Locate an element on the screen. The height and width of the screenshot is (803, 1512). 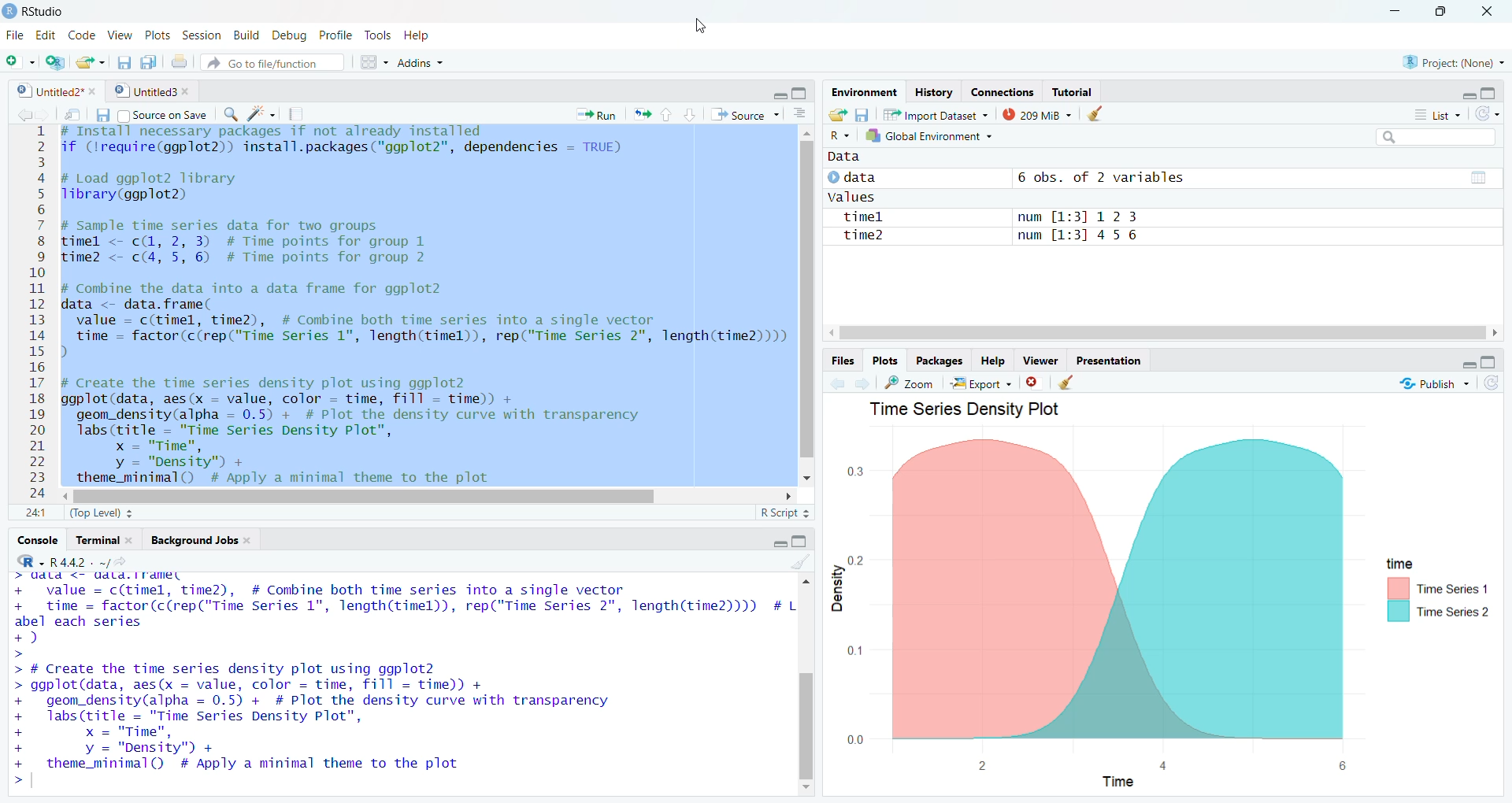
Open existing file is located at coordinates (91, 62).